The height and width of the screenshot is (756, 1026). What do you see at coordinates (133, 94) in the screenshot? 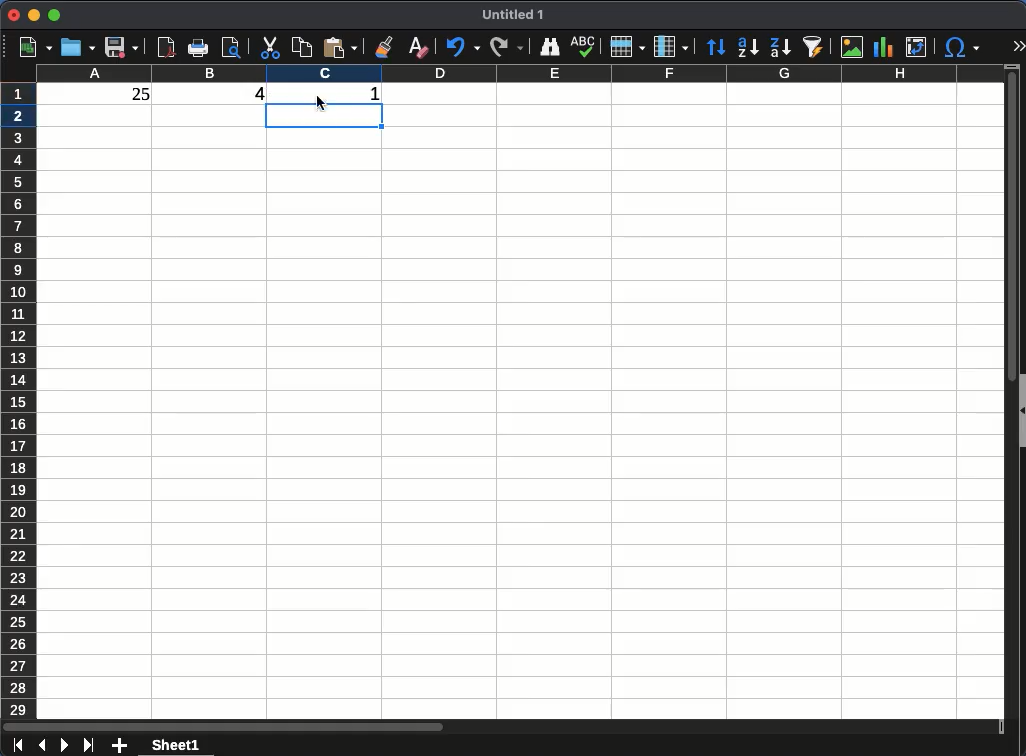
I see `25` at bounding box center [133, 94].